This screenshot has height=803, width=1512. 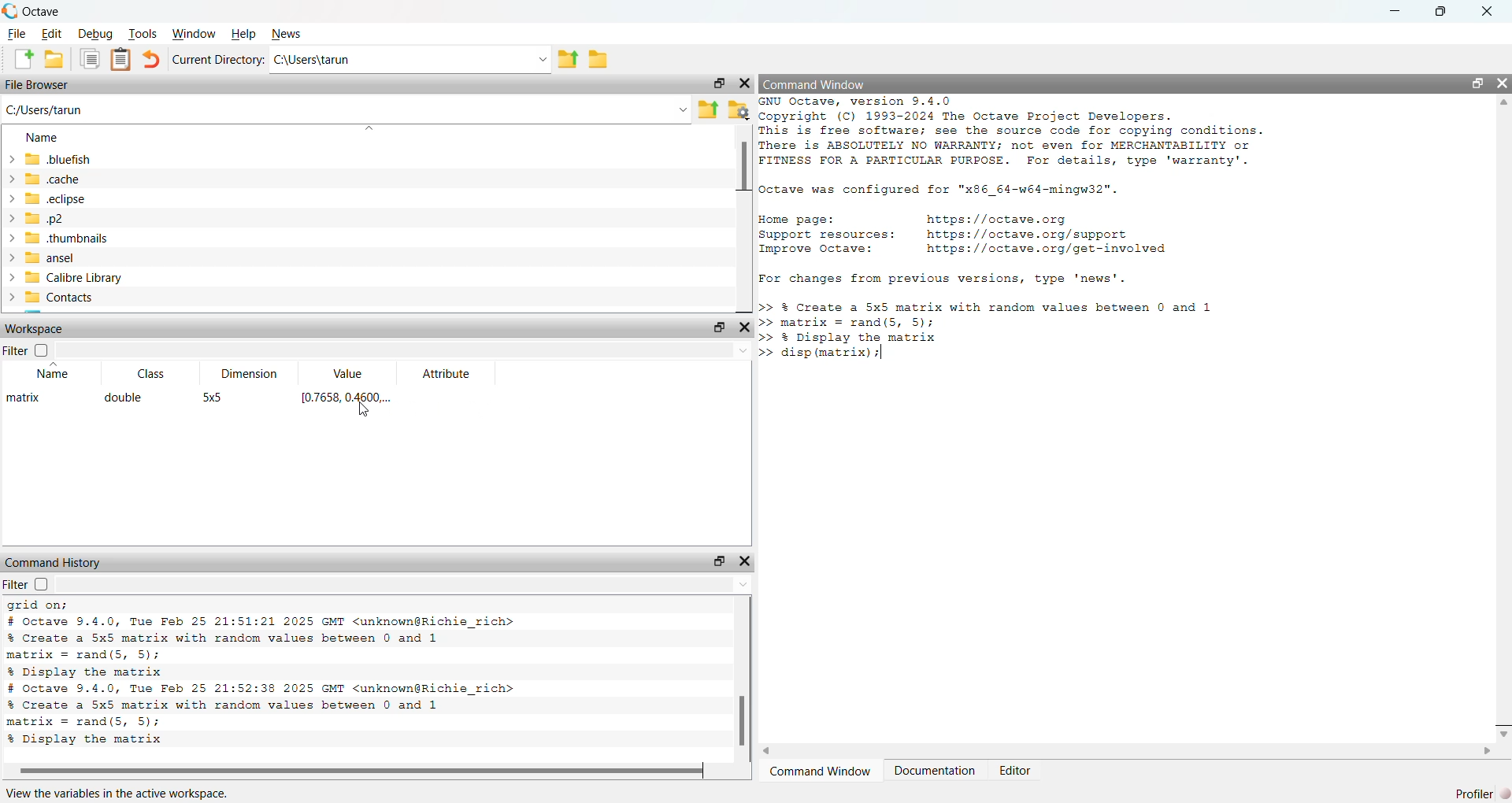 I want to click on close, so click(x=748, y=327).